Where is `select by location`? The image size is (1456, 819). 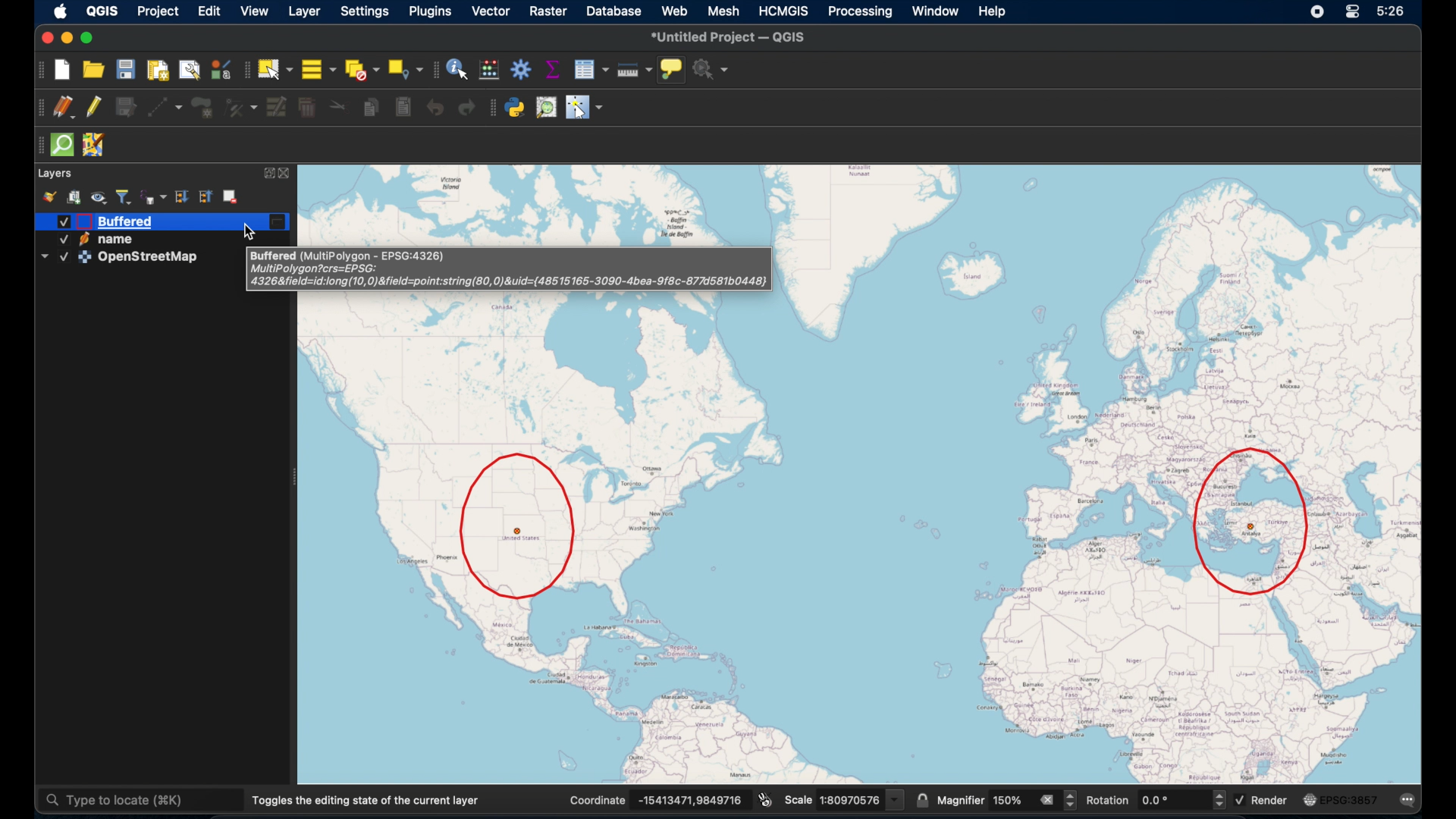 select by location is located at coordinates (406, 67).